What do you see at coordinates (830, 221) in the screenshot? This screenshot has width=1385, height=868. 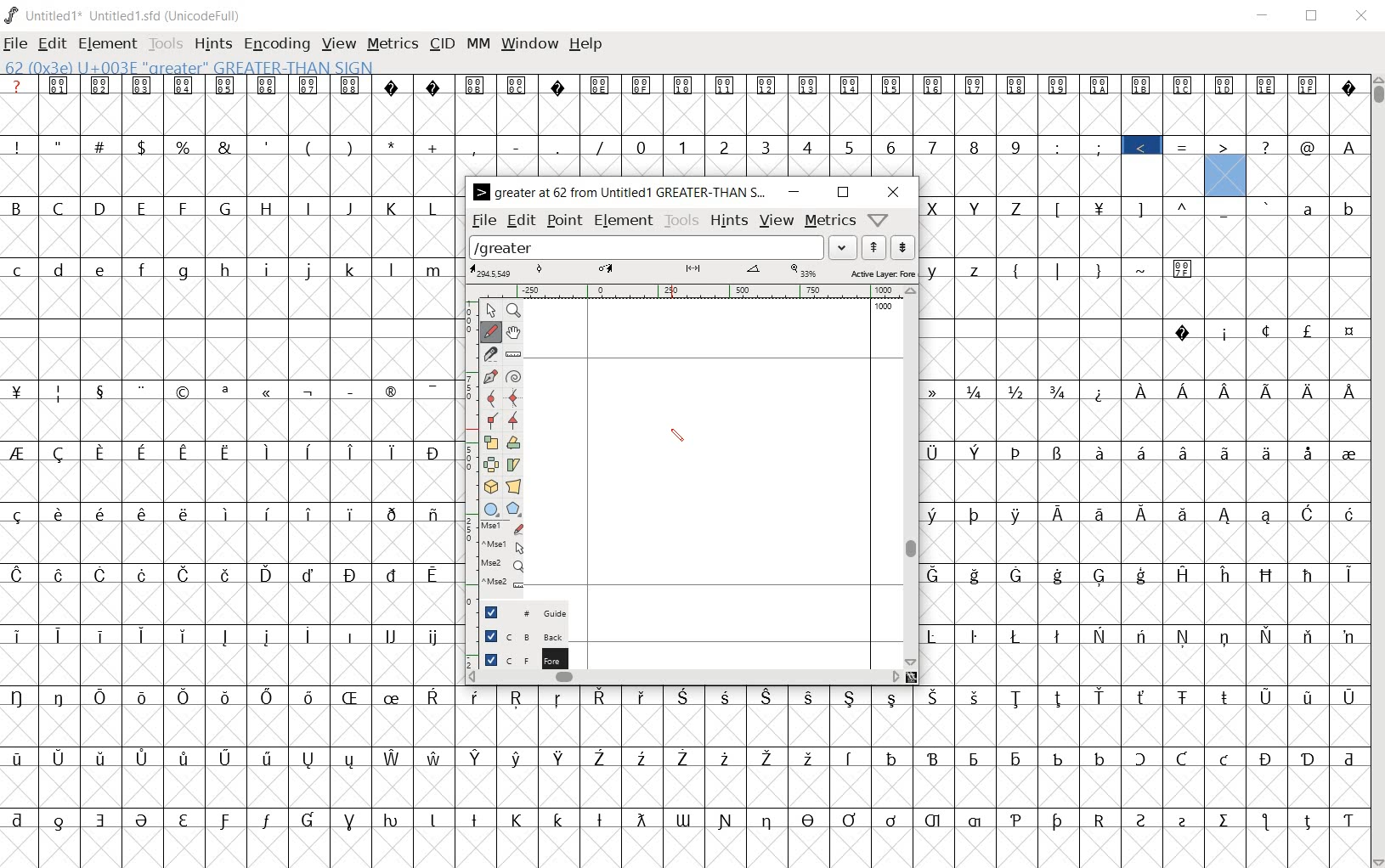 I see `metrics` at bounding box center [830, 221].